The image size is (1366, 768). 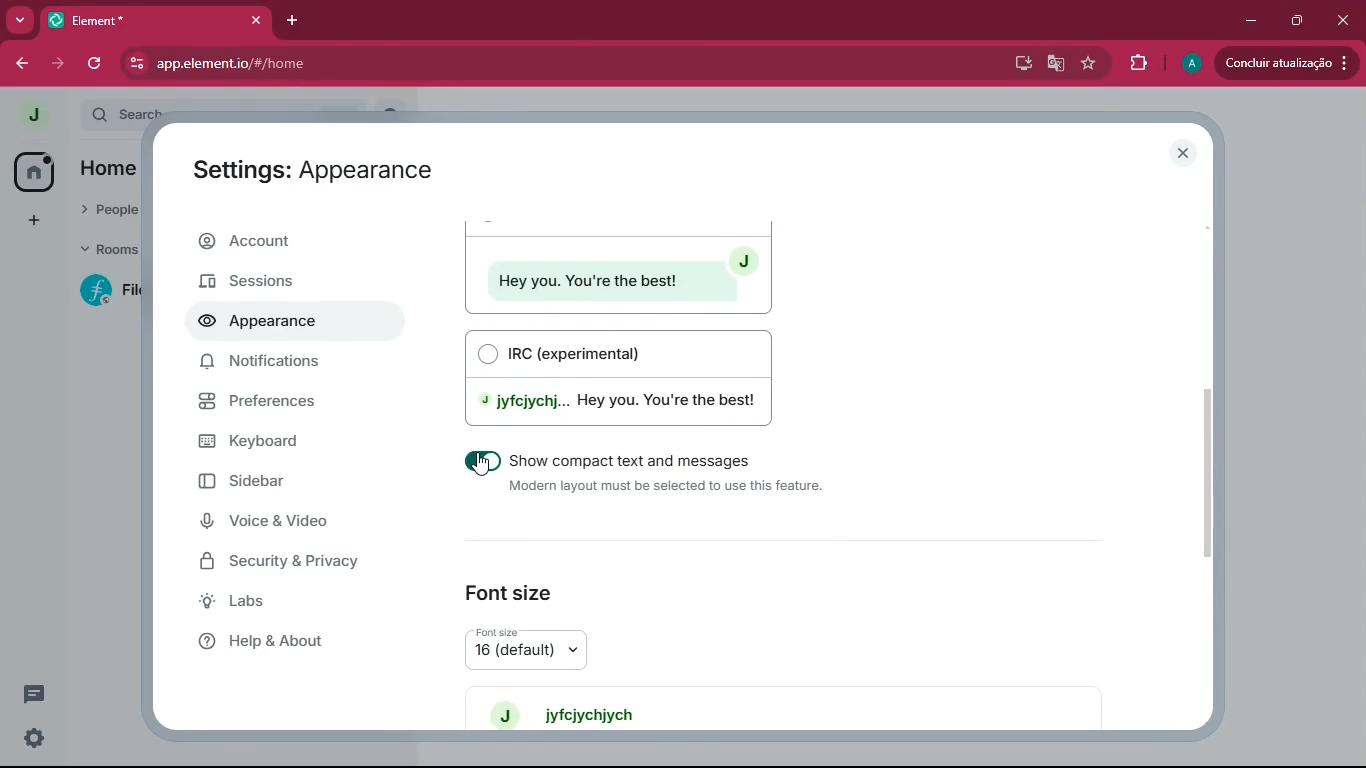 I want to click on Settings: Appearance, so click(x=309, y=171).